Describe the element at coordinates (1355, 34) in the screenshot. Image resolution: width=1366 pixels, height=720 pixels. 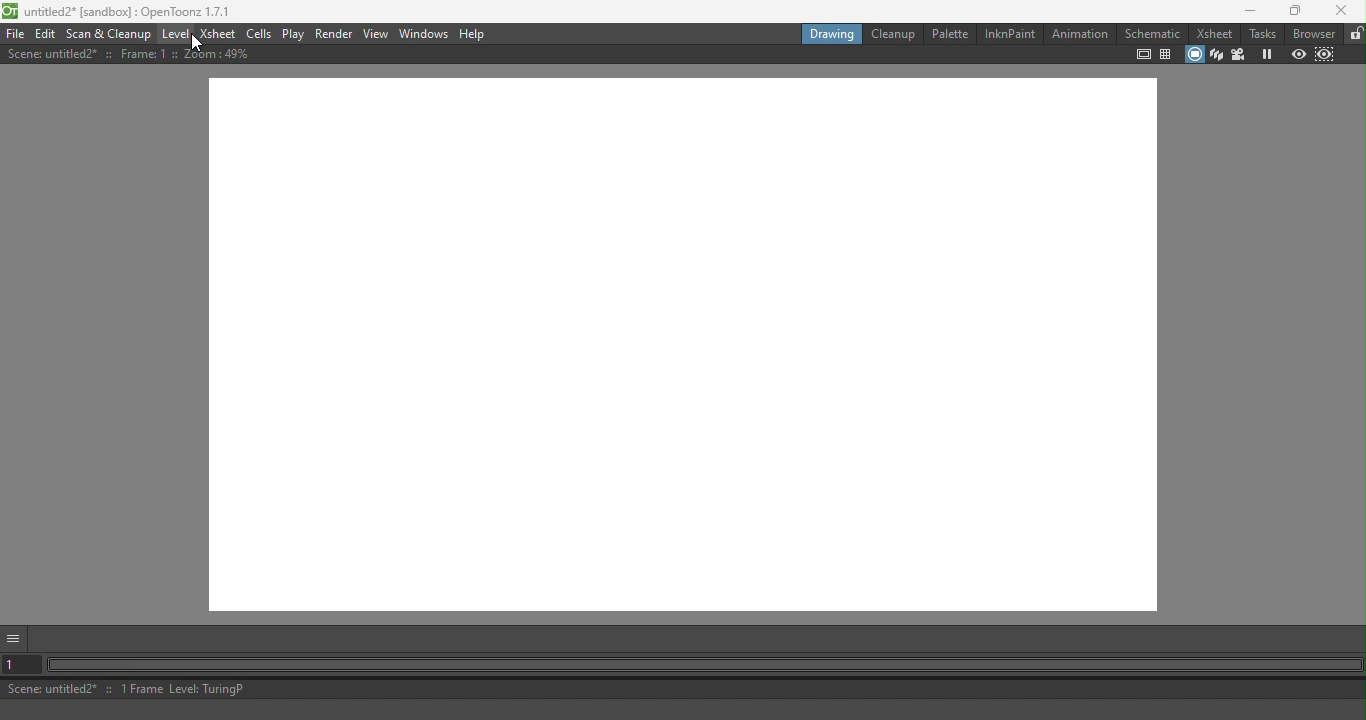
I see `Lock rooms tab` at that location.